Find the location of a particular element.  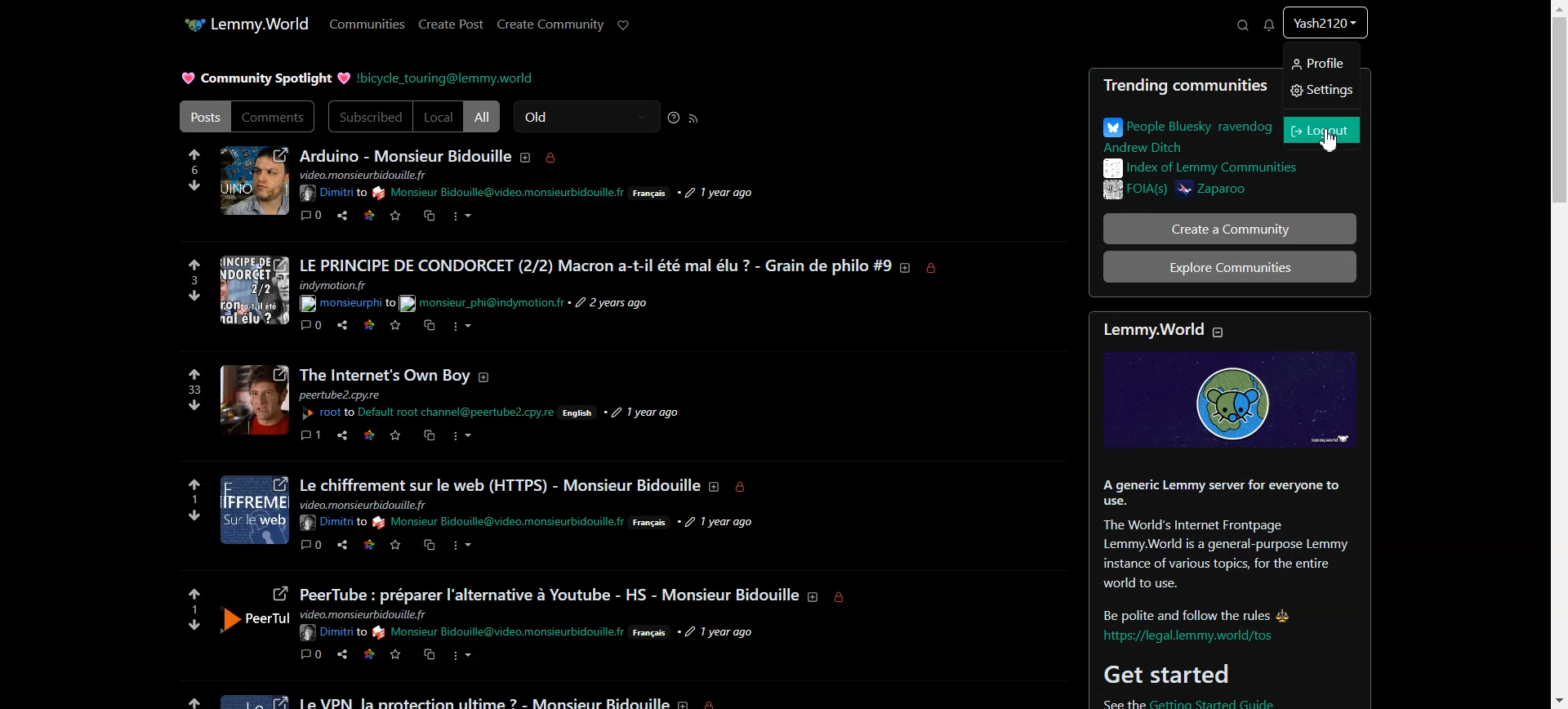

hyperlink is located at coordinates (499, 524).